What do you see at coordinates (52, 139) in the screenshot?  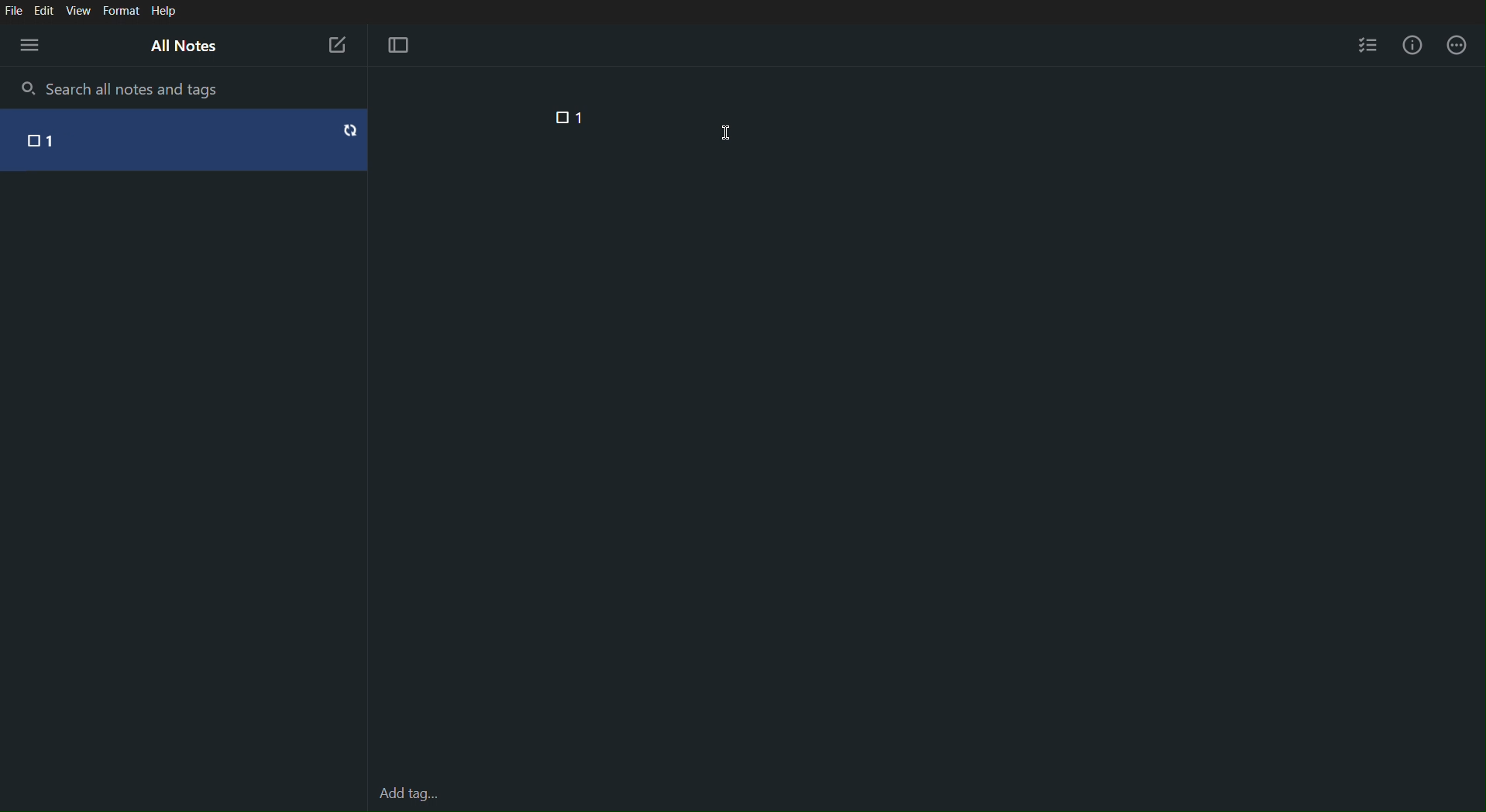 I see `1` at bounding box center [52, 139].